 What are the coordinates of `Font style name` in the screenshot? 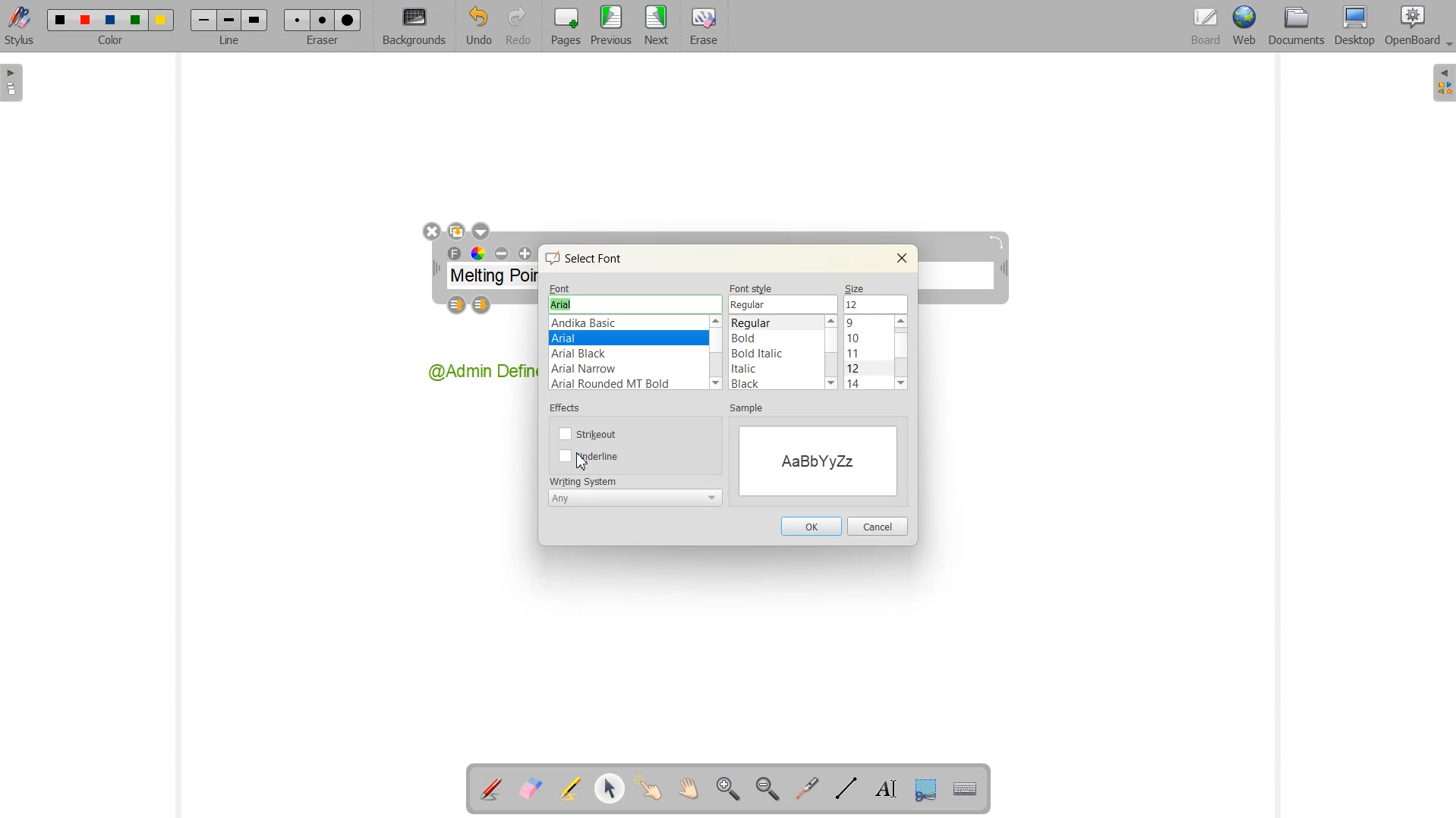 It's located at (784, 304).